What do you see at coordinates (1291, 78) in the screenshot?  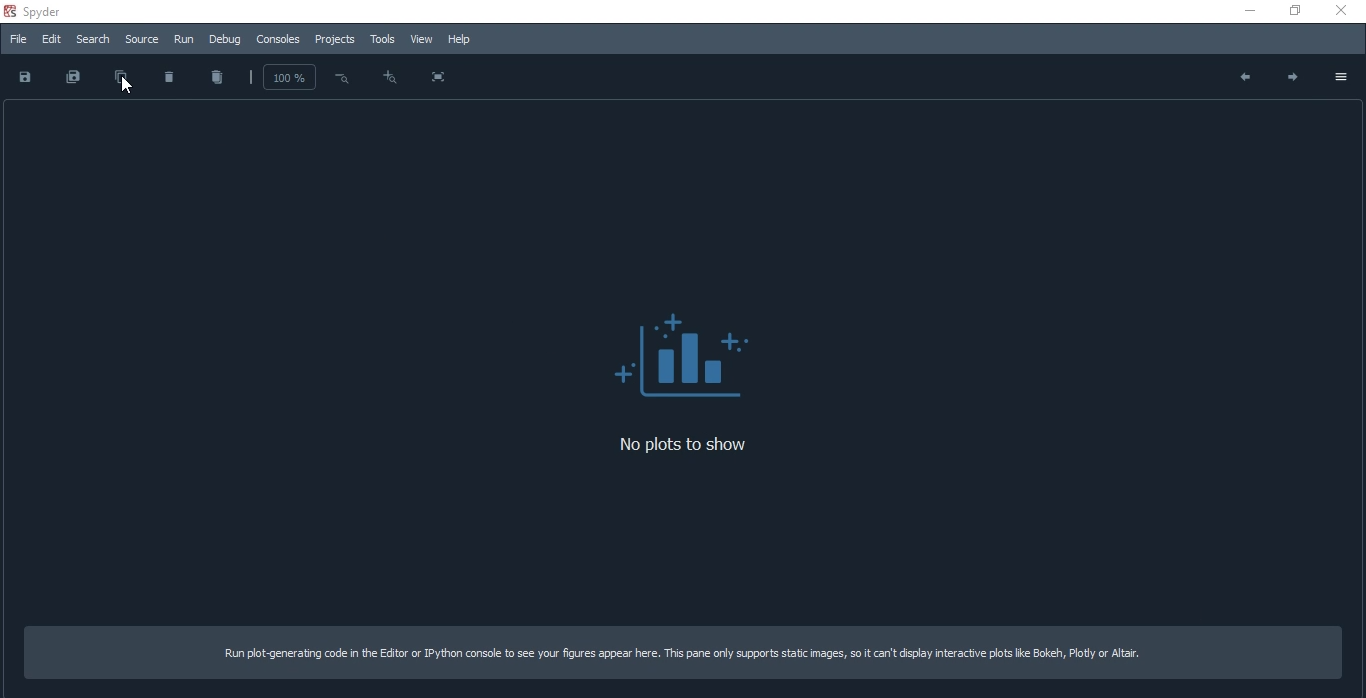 I see `next plot` at bounding box center [1291, 78].